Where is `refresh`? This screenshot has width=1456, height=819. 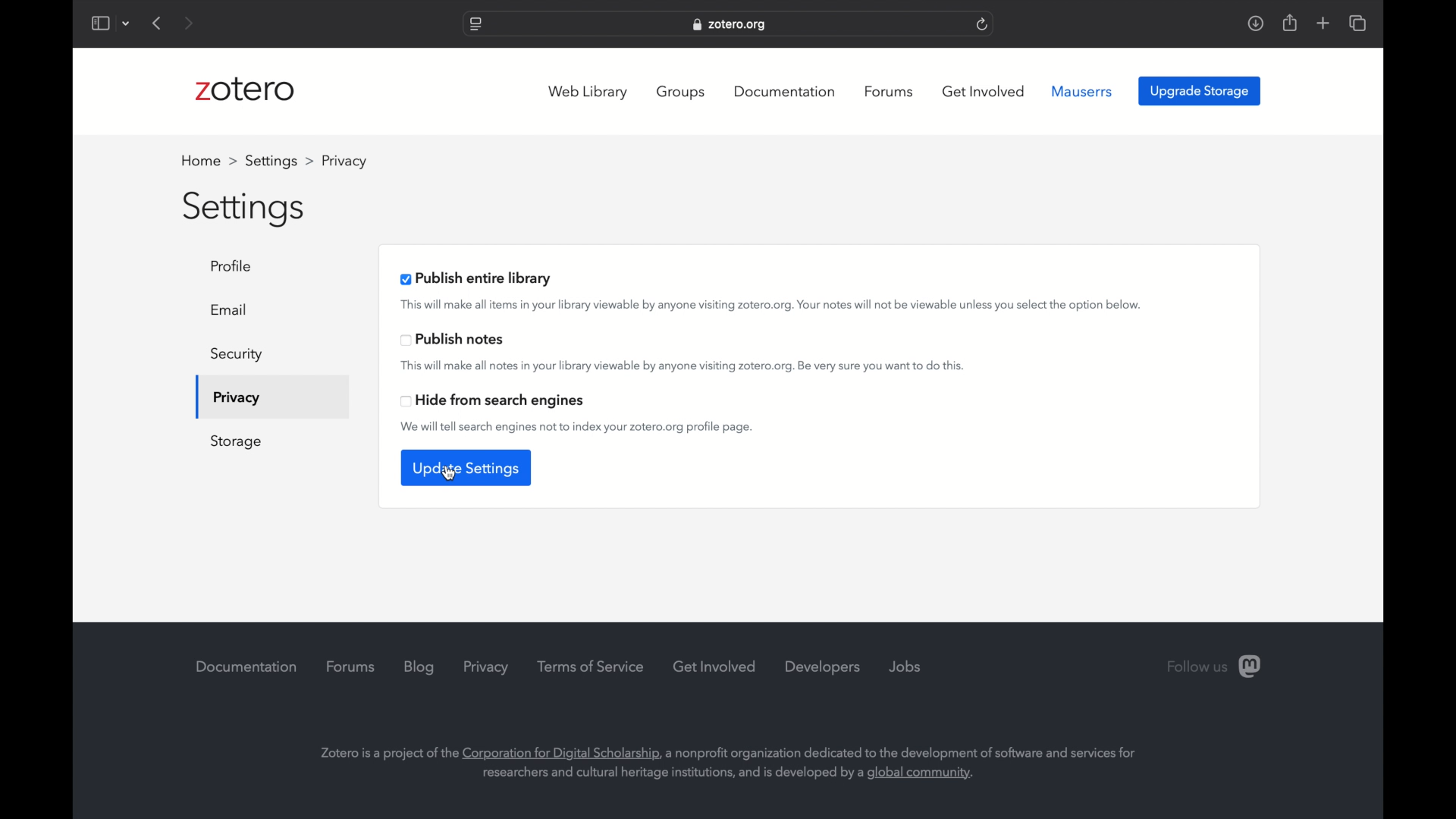
refresh is located at coordinates (984, 24).